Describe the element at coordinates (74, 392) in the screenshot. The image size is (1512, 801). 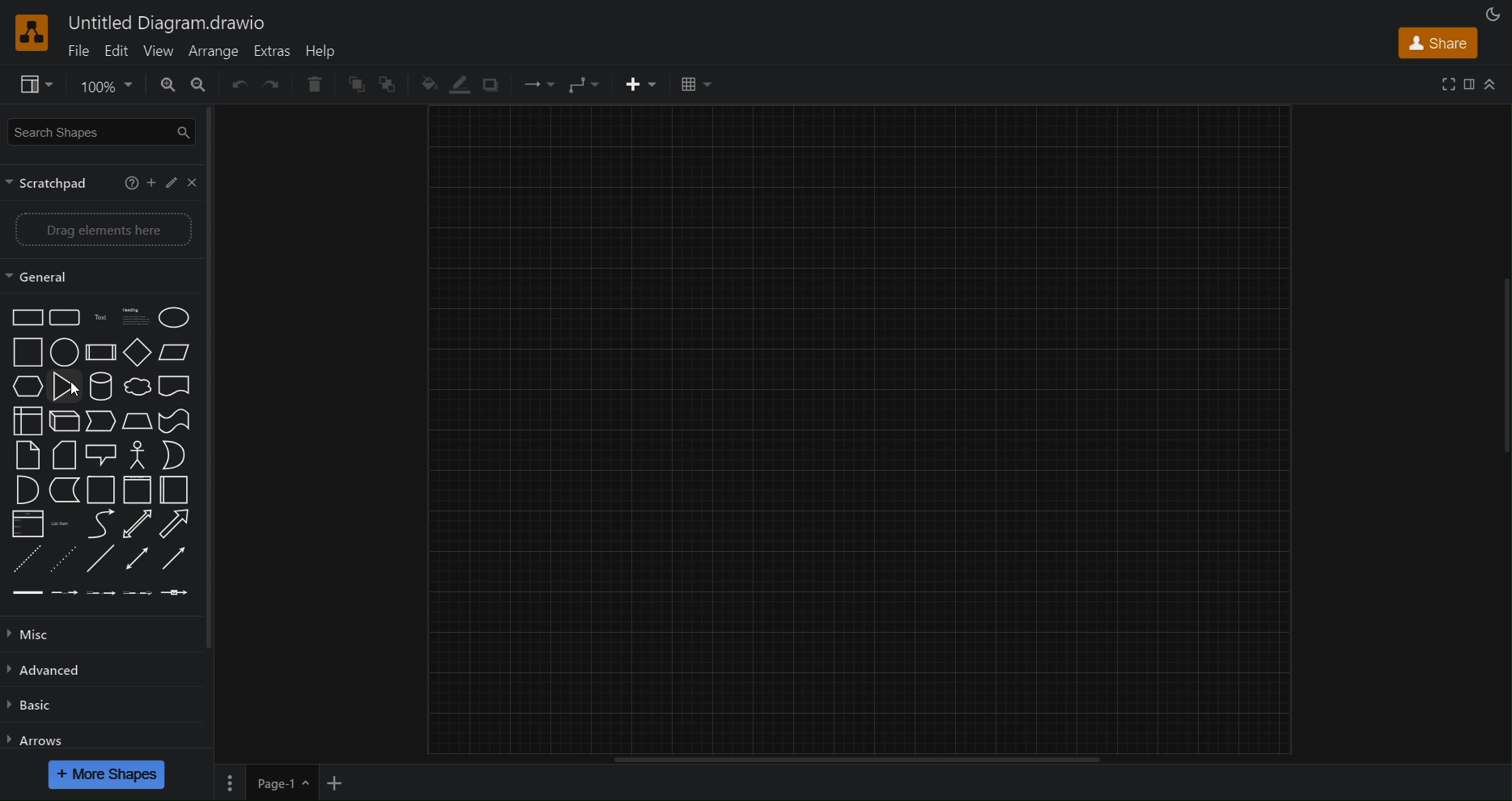
I see `Cursor` at that location.